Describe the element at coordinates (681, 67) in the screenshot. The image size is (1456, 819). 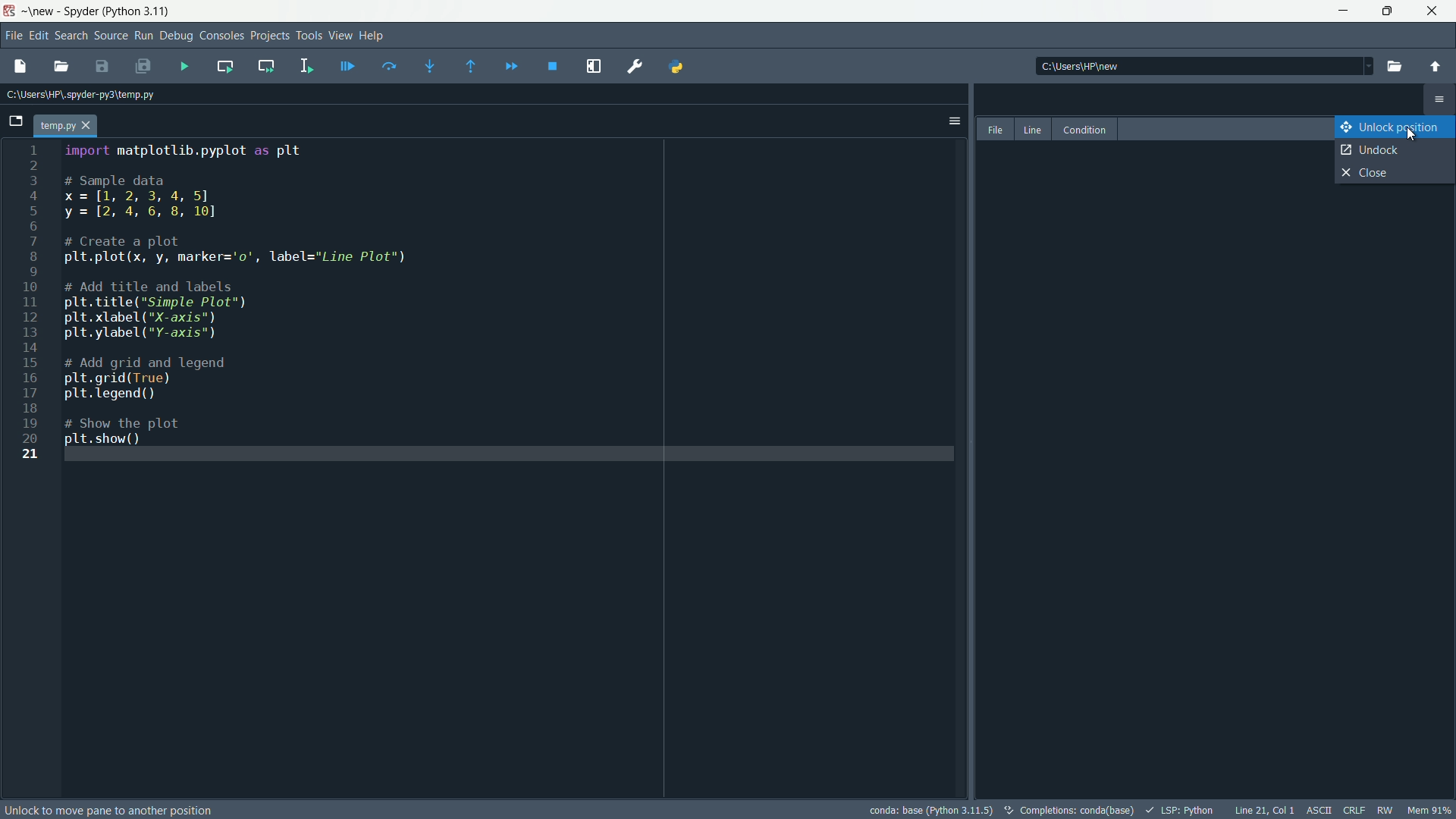
I see `python path manager` at that location.